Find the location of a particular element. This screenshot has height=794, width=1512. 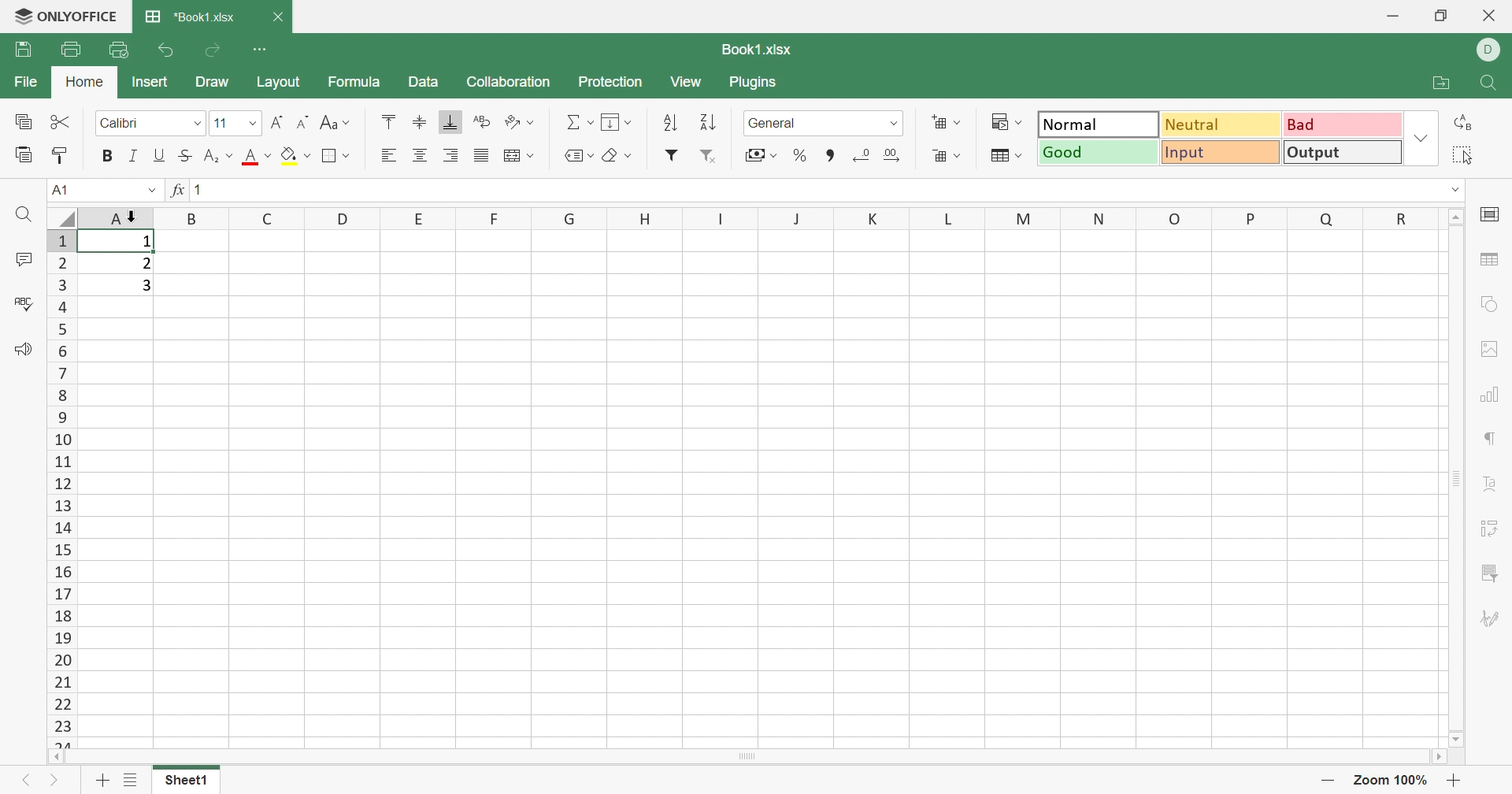

Pivot table settings is located at coordinates (1491, 530).